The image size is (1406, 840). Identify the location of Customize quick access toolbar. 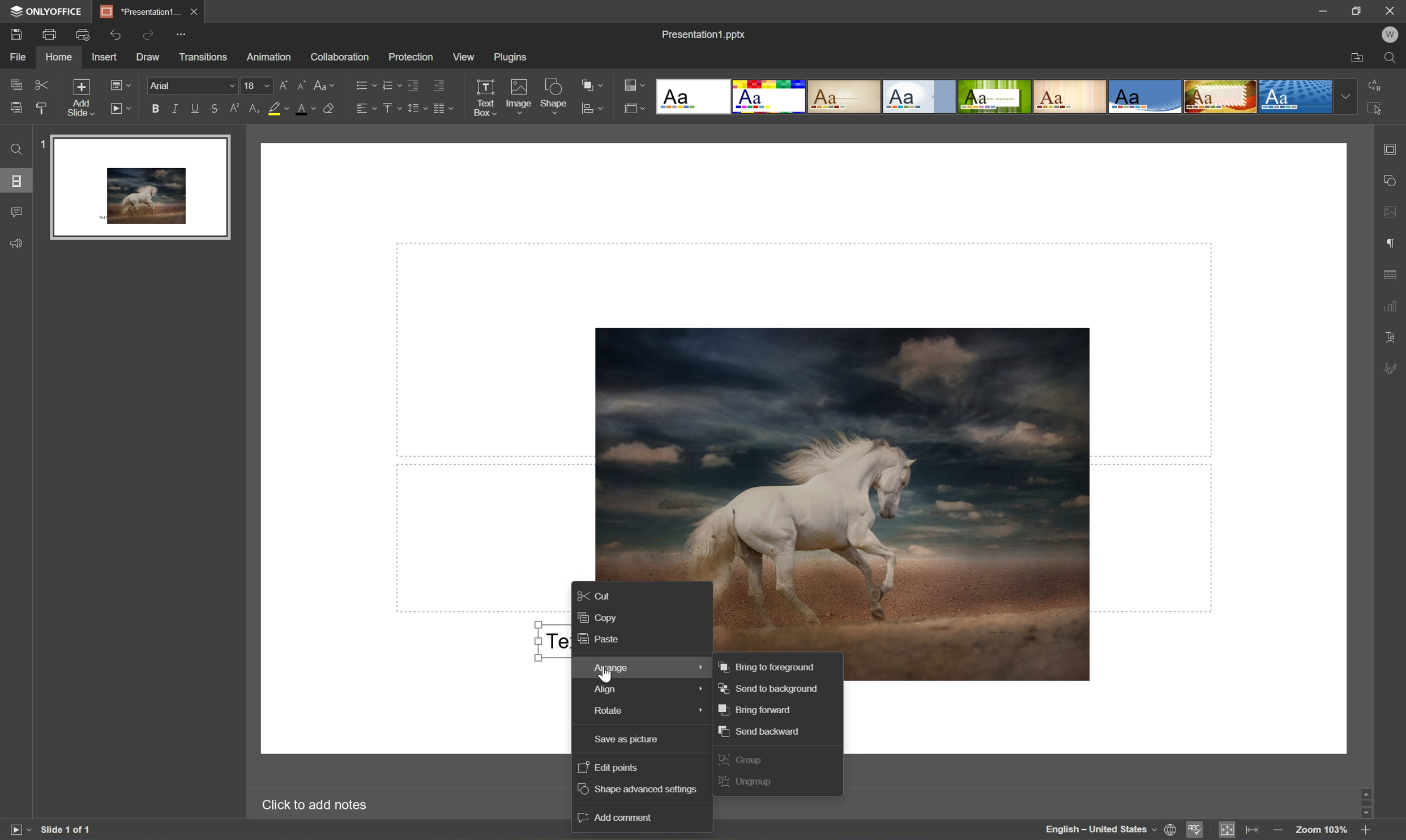
(182, 36).